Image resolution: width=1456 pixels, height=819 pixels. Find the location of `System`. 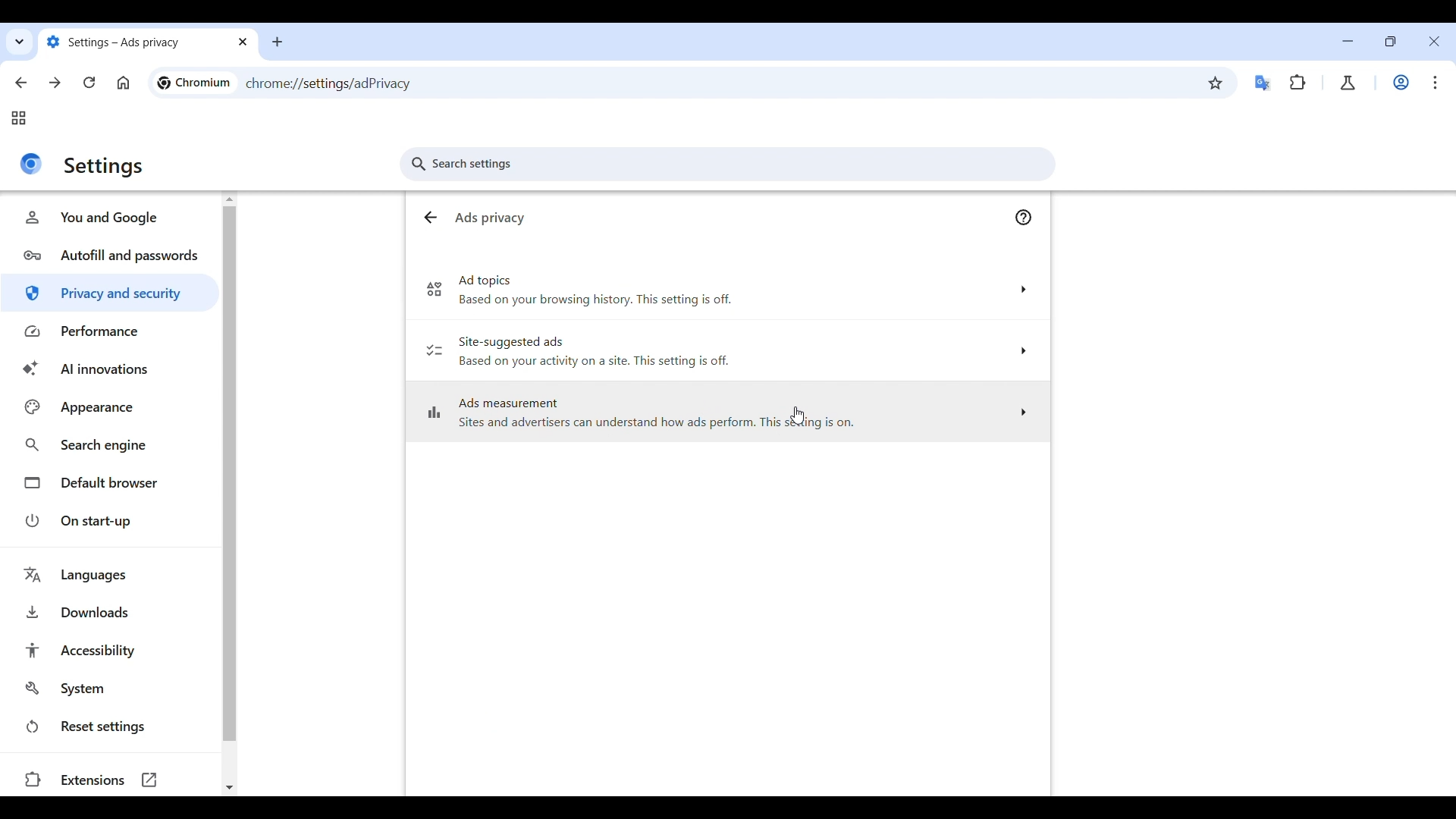

System is located at coordinates (110, 688).